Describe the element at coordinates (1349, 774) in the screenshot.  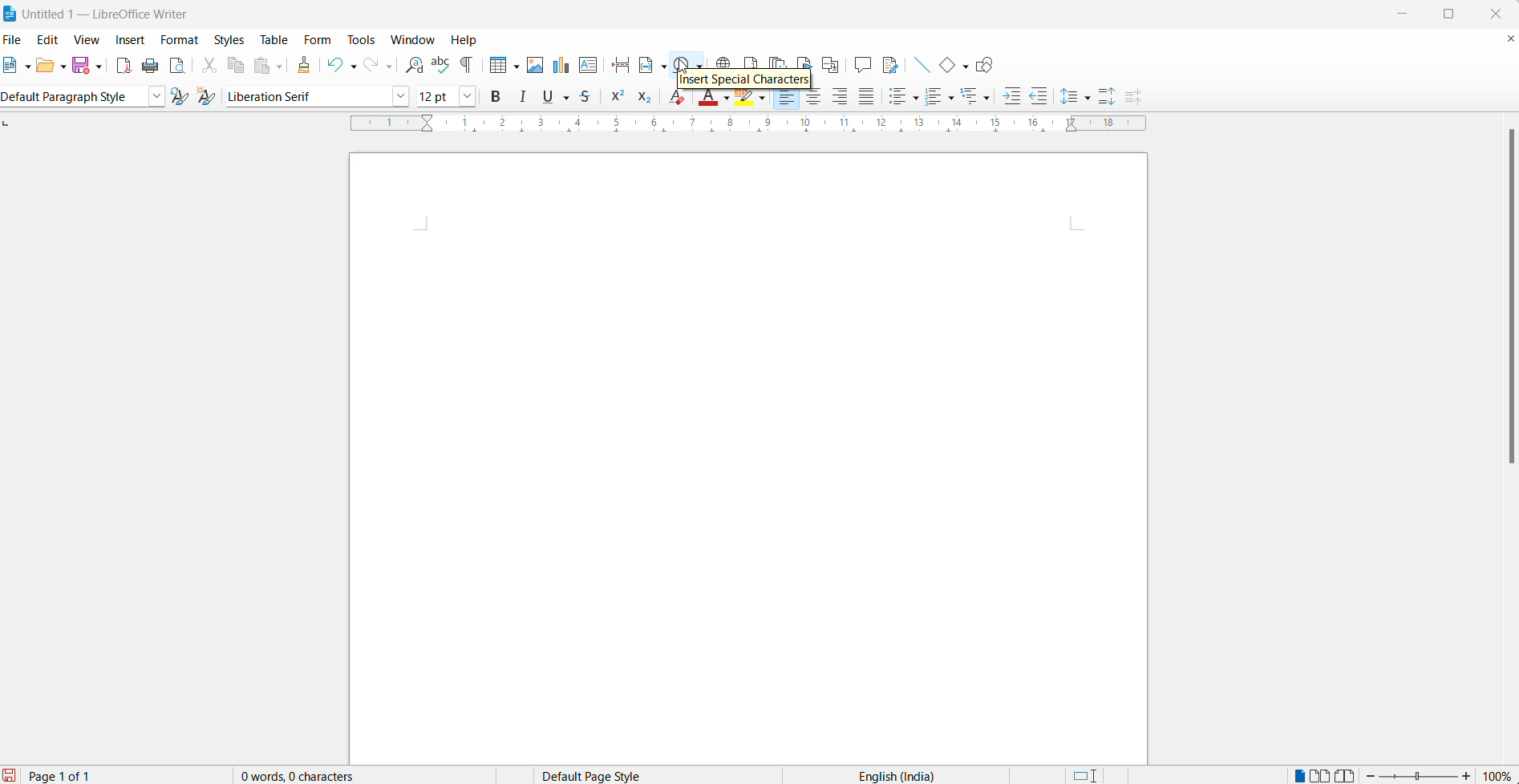
I see `book view` at that location.